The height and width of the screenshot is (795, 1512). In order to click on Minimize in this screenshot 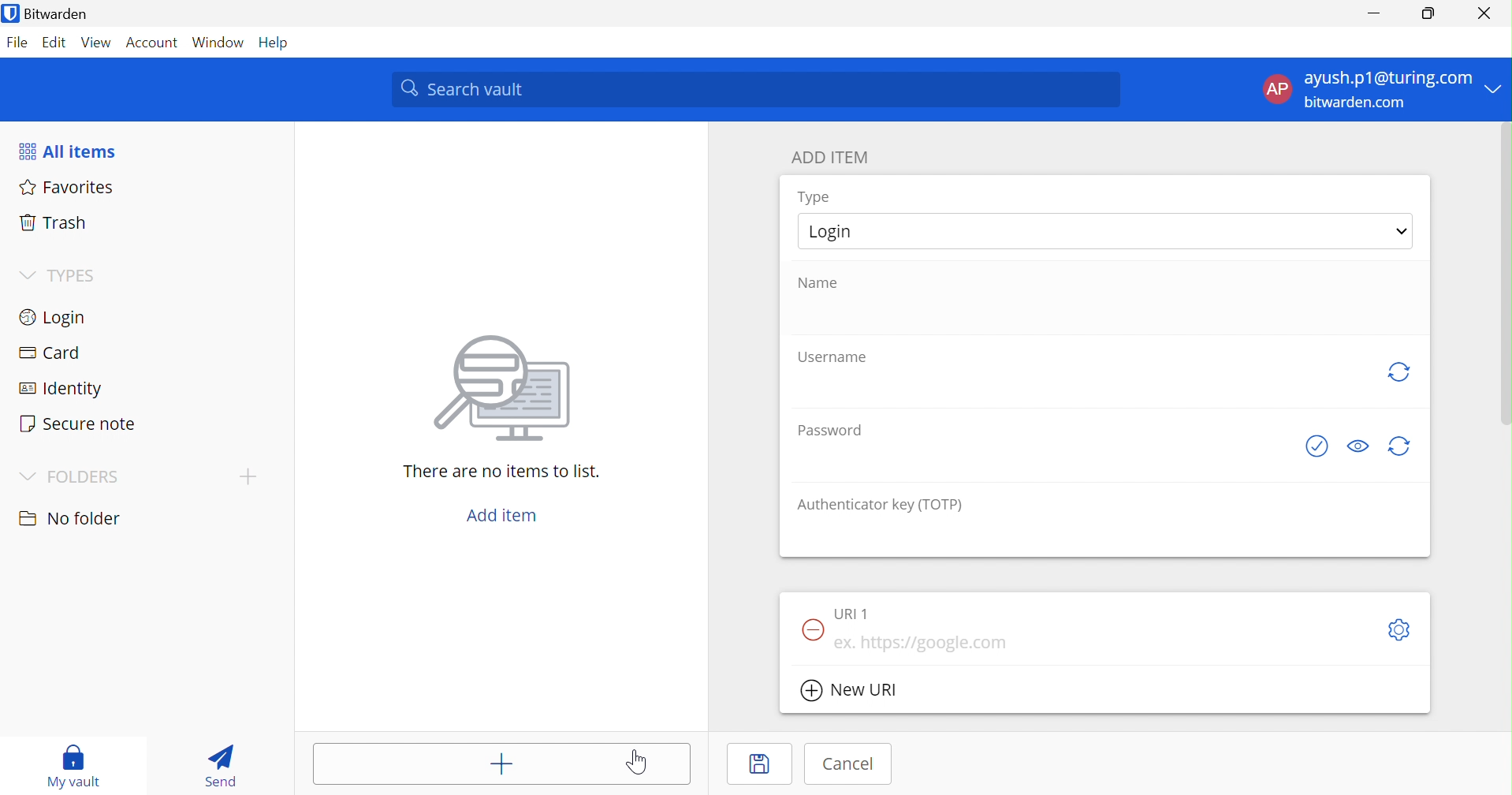, I will do `click(1371, 13)`.